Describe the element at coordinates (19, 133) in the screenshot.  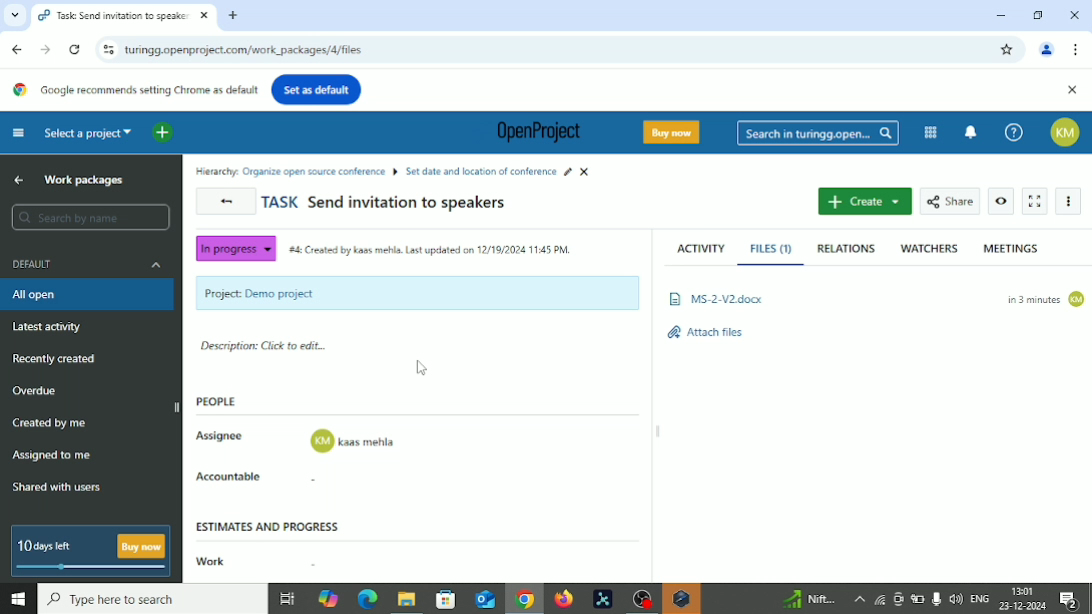
I see `Collapse project menu` at that location.